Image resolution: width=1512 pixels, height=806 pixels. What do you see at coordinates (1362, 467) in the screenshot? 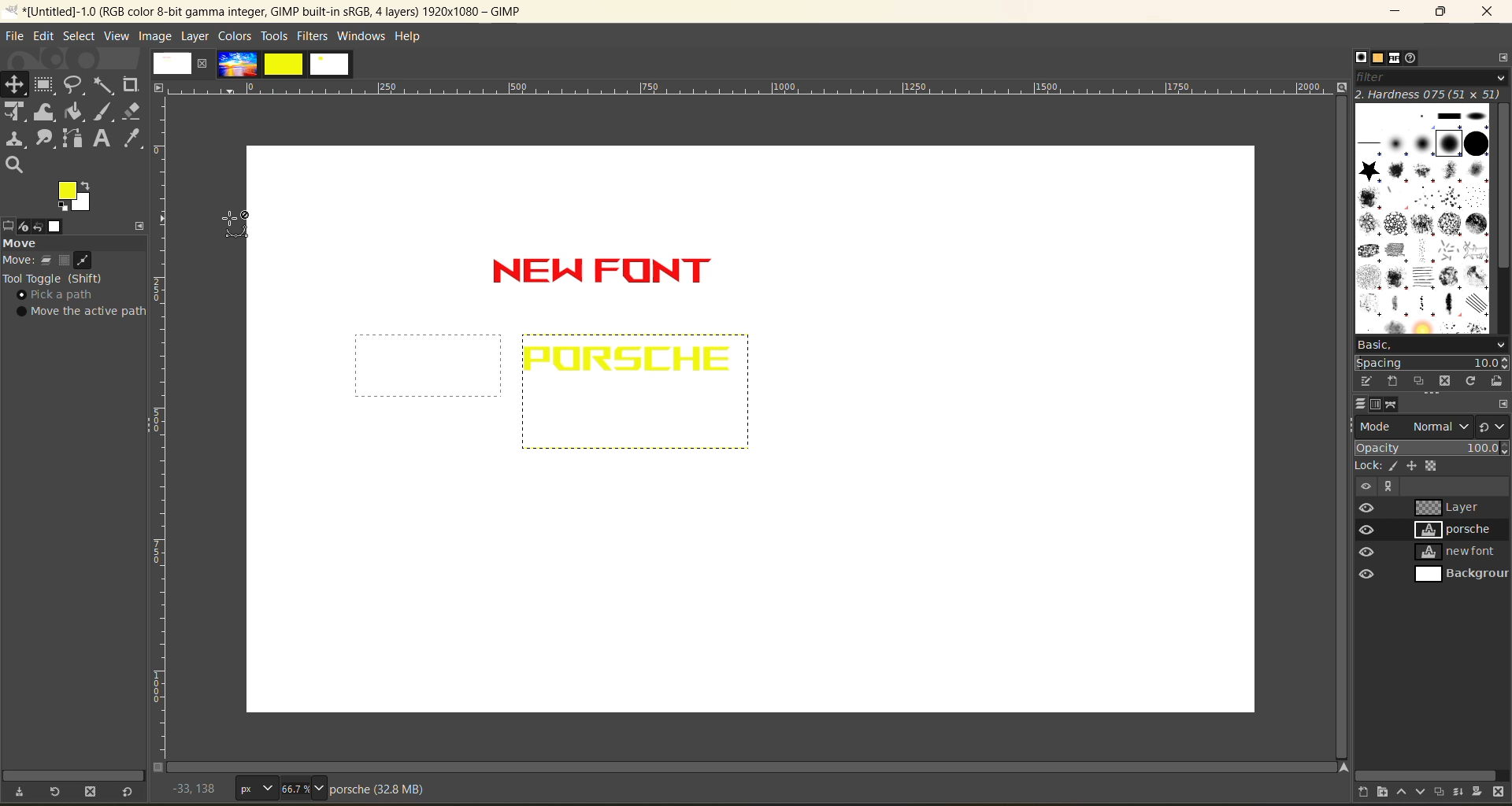
I see `lock:` at bounding box center [1362, 467].